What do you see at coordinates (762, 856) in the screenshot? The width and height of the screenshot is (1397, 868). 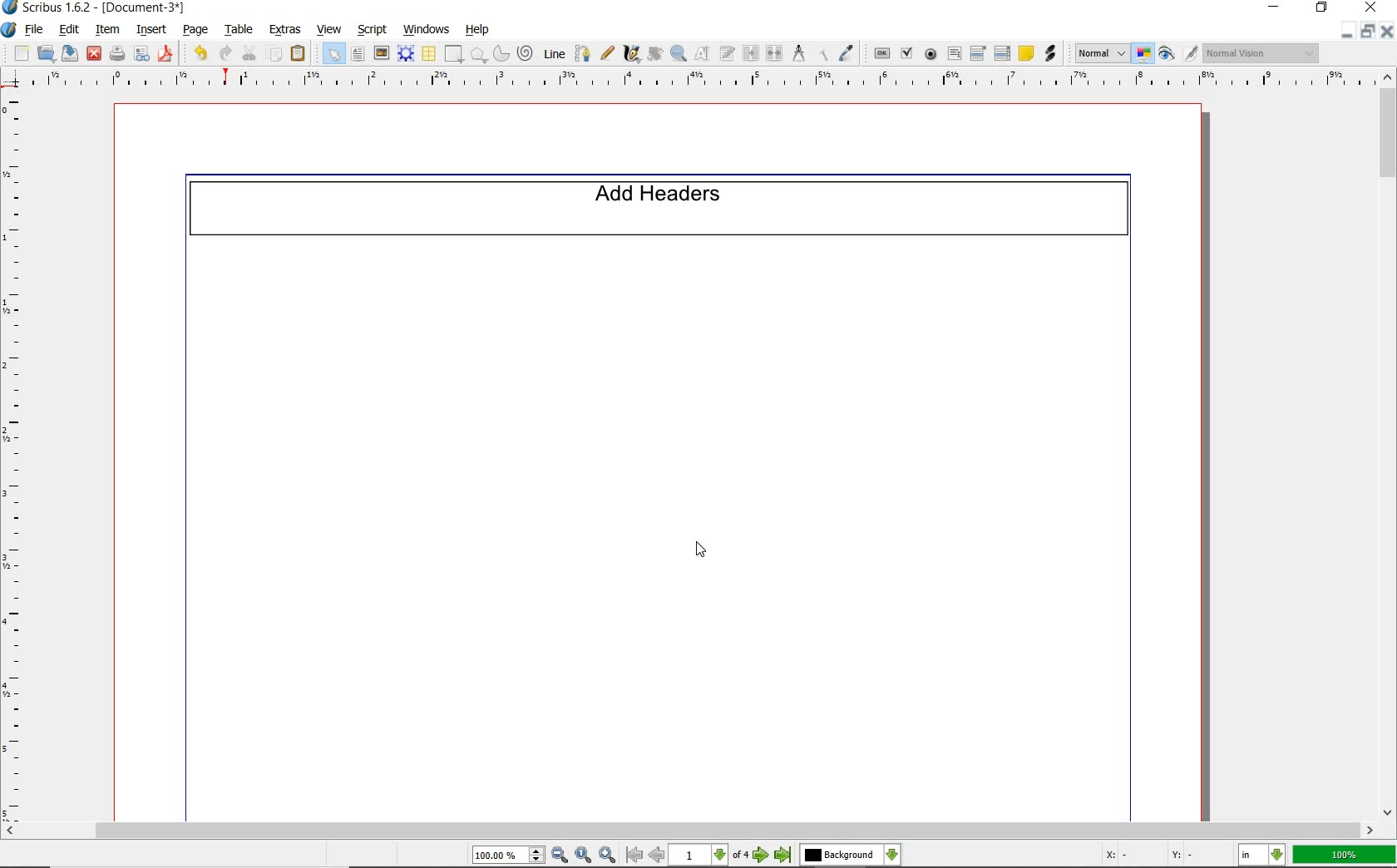 I see `go to next page` at bounding box center [762, 856].